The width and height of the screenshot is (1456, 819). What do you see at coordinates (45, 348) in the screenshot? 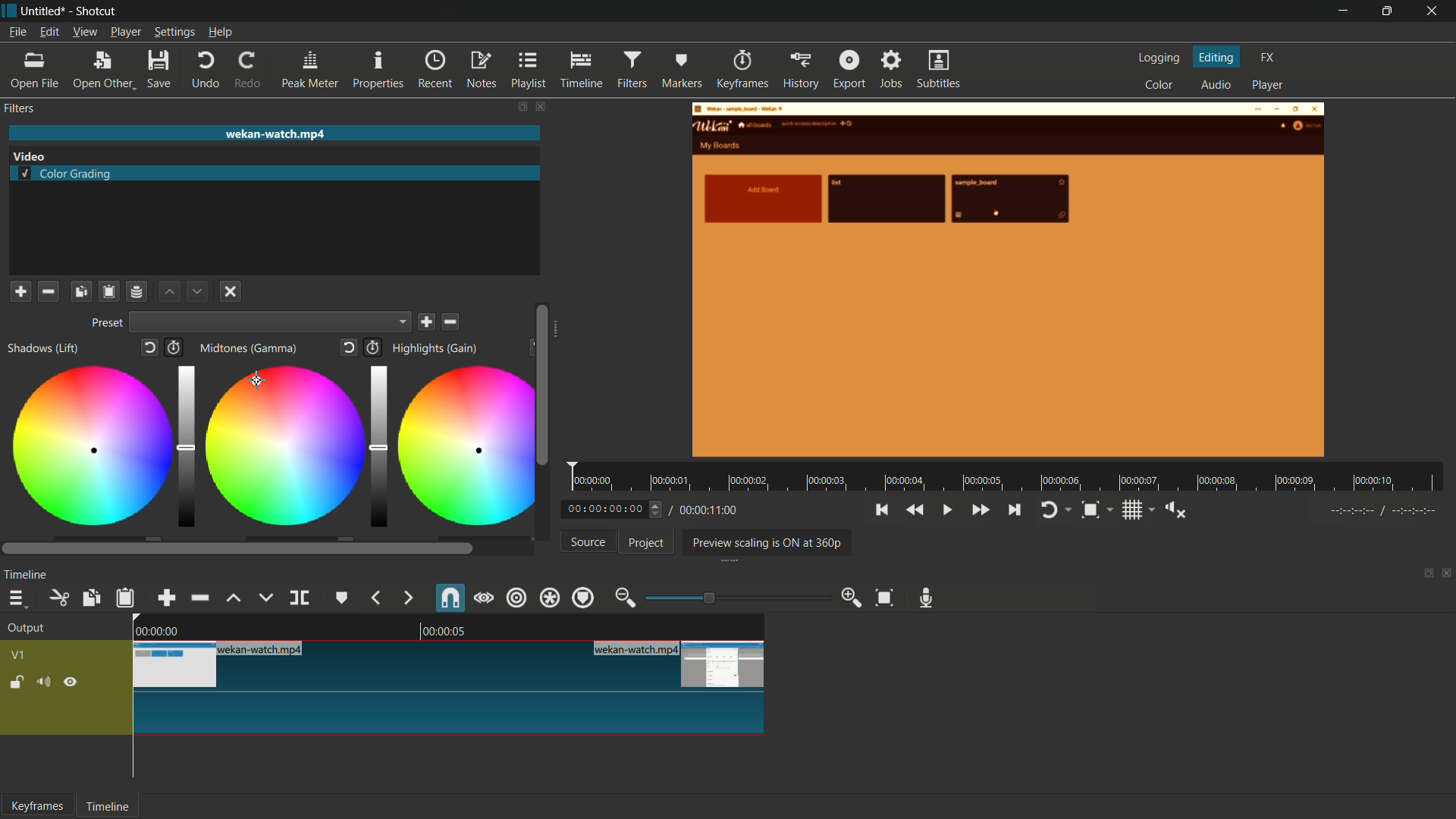
I see `shadows(lift)` at bounding box center [45, 348].